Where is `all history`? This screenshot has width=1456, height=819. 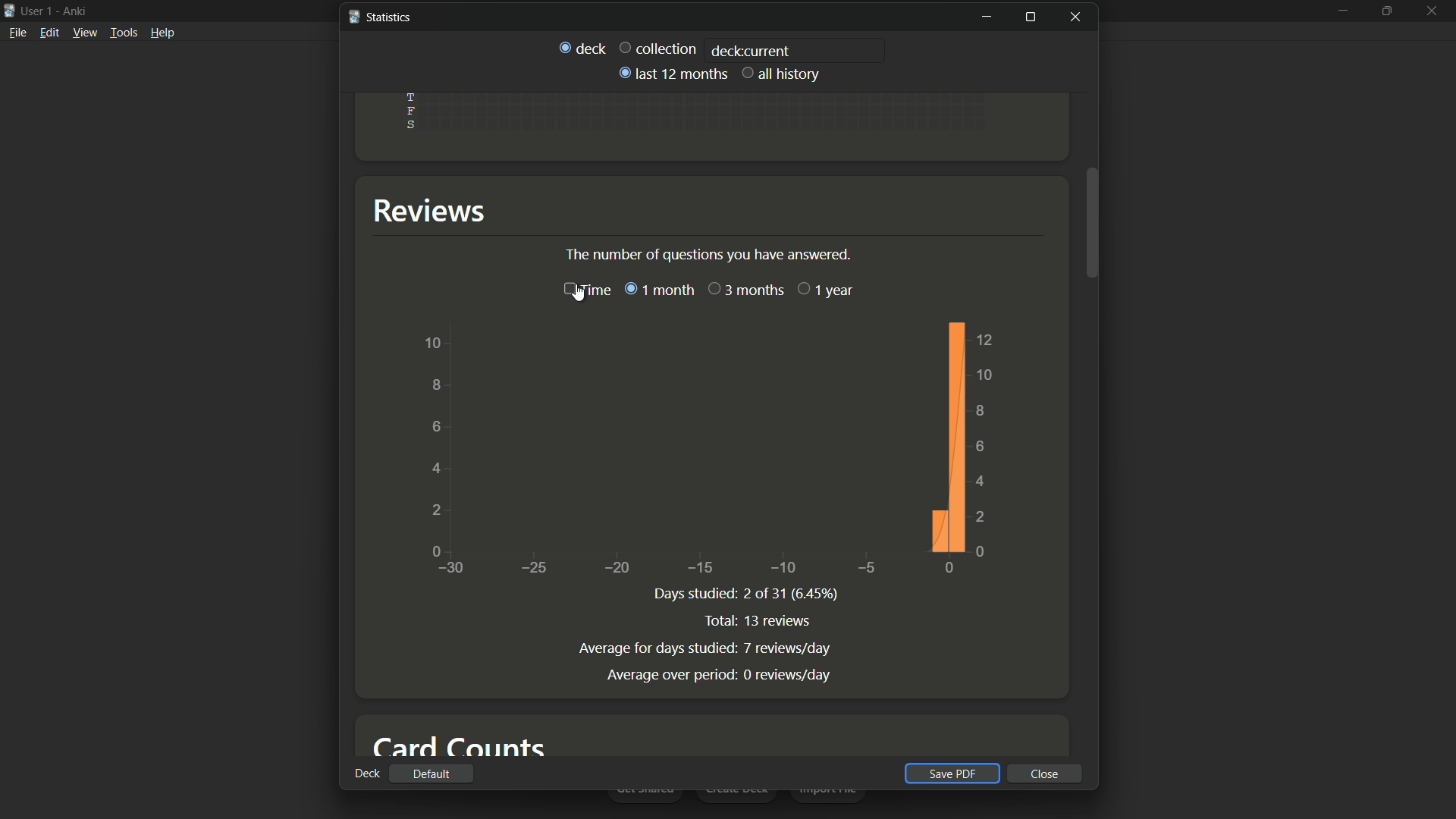 all history is located at coordinates (782, 73).